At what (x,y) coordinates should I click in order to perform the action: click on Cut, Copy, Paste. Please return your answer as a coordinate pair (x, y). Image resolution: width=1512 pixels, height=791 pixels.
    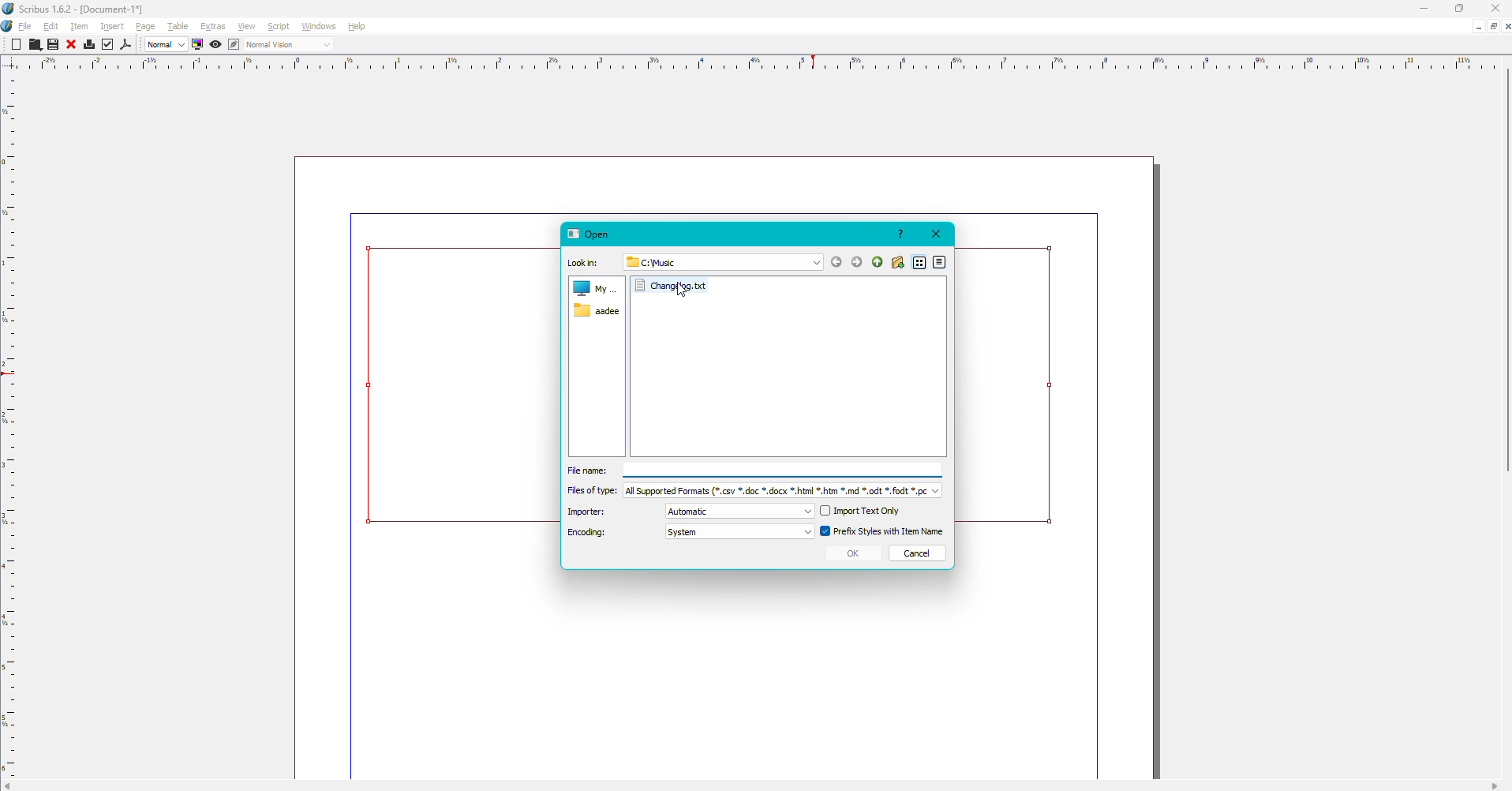
    Looking at the image, I should click on (35, 45).